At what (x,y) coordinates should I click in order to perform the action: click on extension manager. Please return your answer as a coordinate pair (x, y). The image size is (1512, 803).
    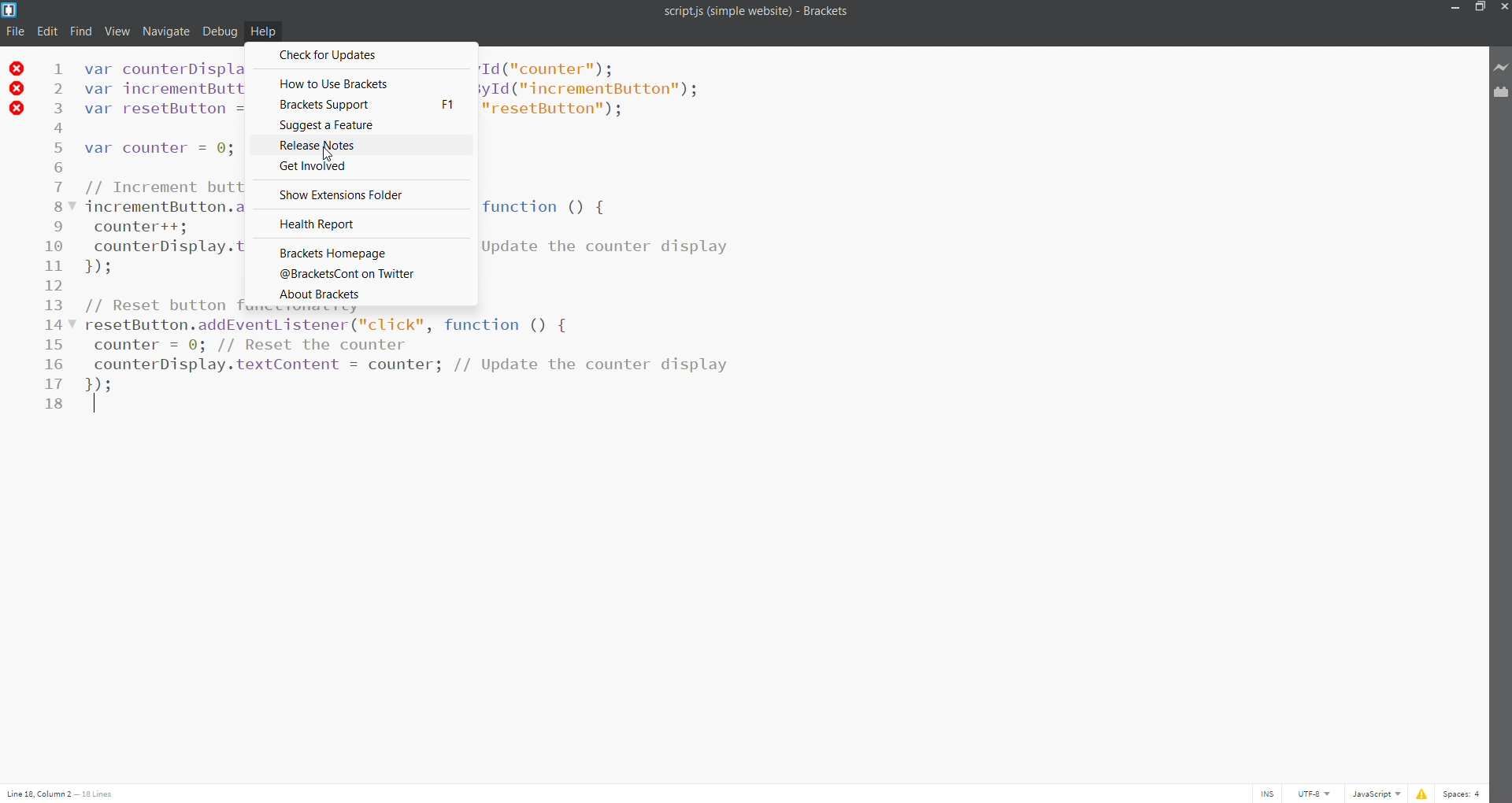
    Looking at the image, I should click on (1498, 95).